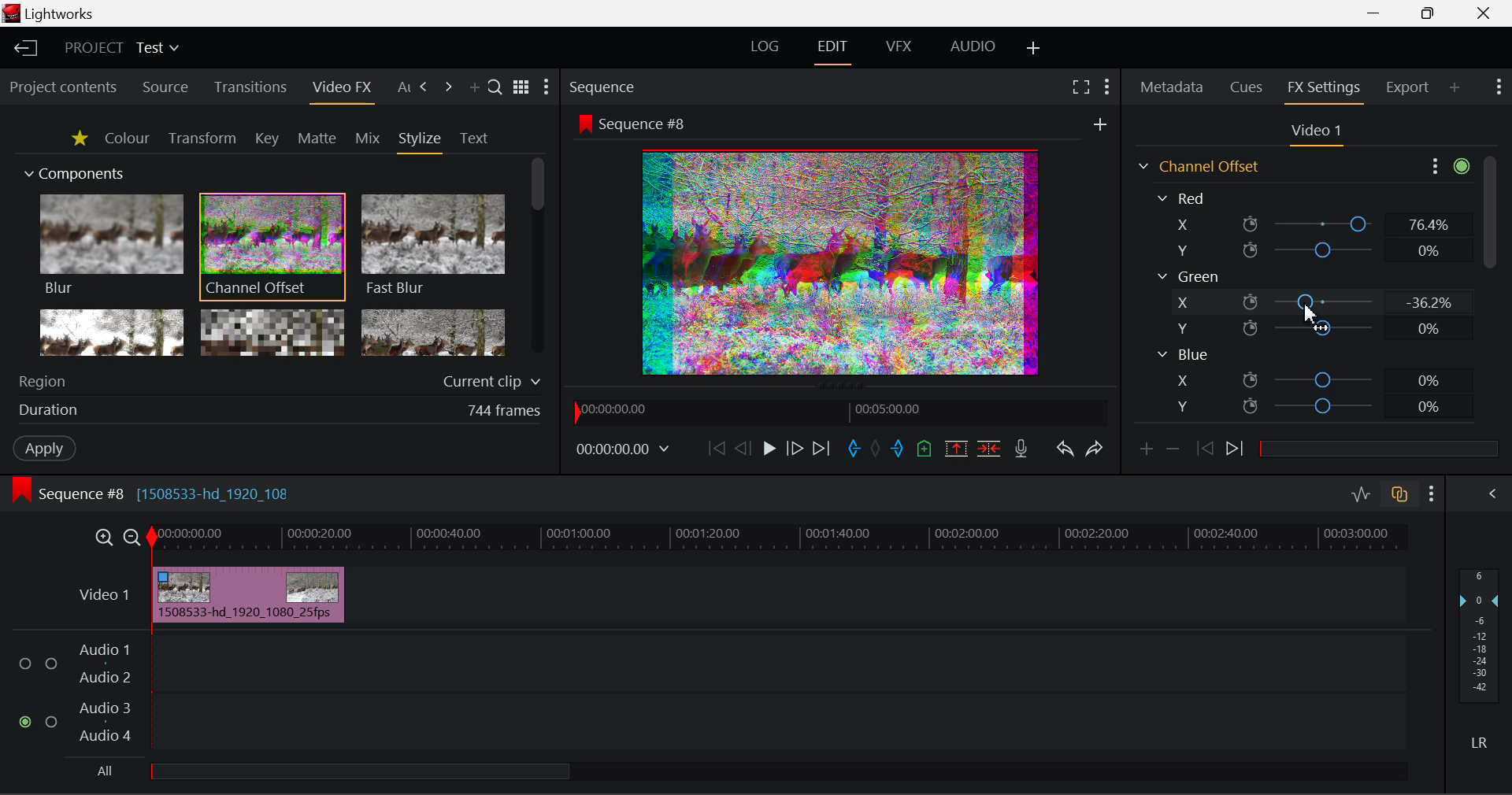  Describe the element at coordinates (1454, 88) in the screenshot. I see `Add Panel` at that location.